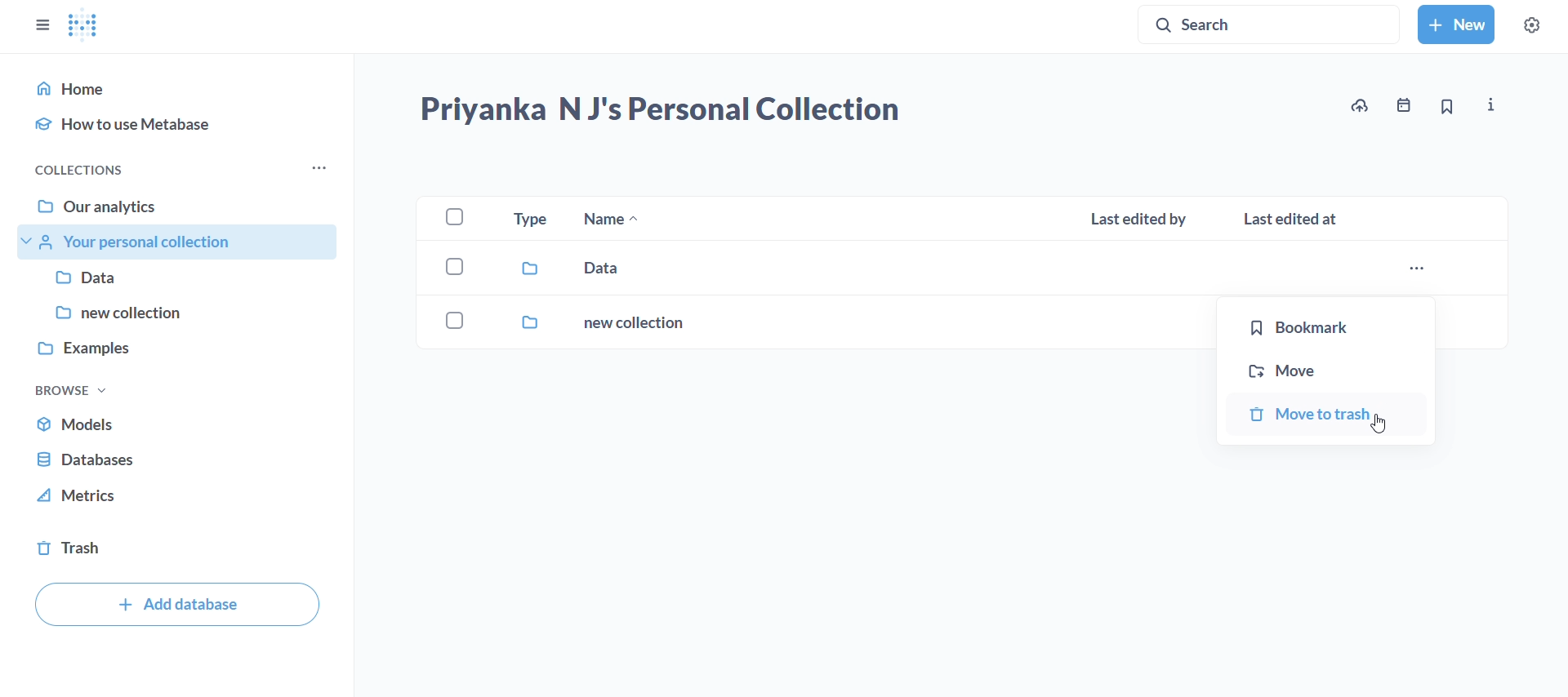 The image size is (1568, 697). Describe the element at coordinates (100, 171) in the screenshot. I see `collections` at that location.